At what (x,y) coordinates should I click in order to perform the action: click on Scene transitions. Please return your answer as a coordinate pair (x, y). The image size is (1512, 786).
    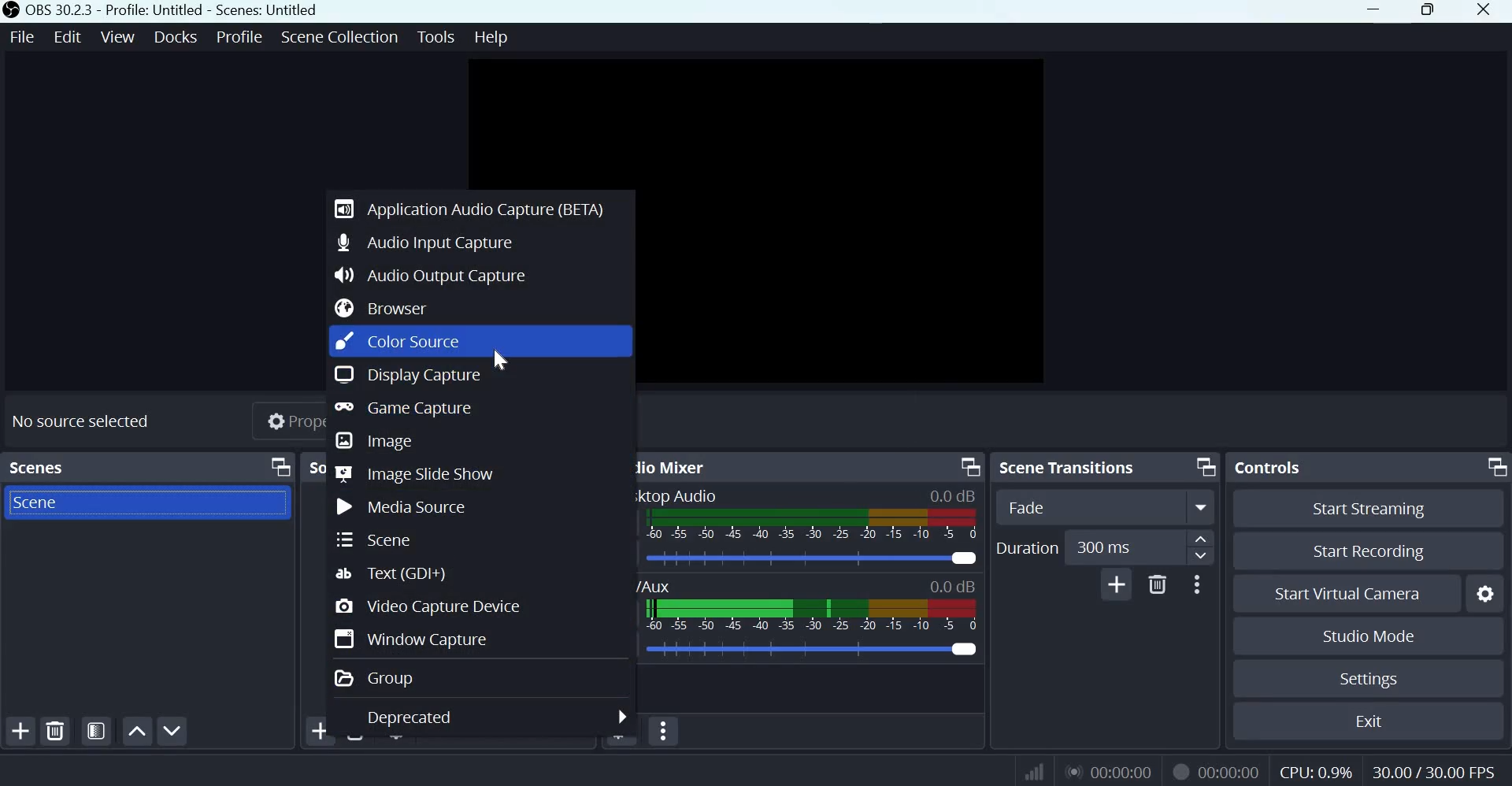
    Looking at the image, I should click on (1072, 466).